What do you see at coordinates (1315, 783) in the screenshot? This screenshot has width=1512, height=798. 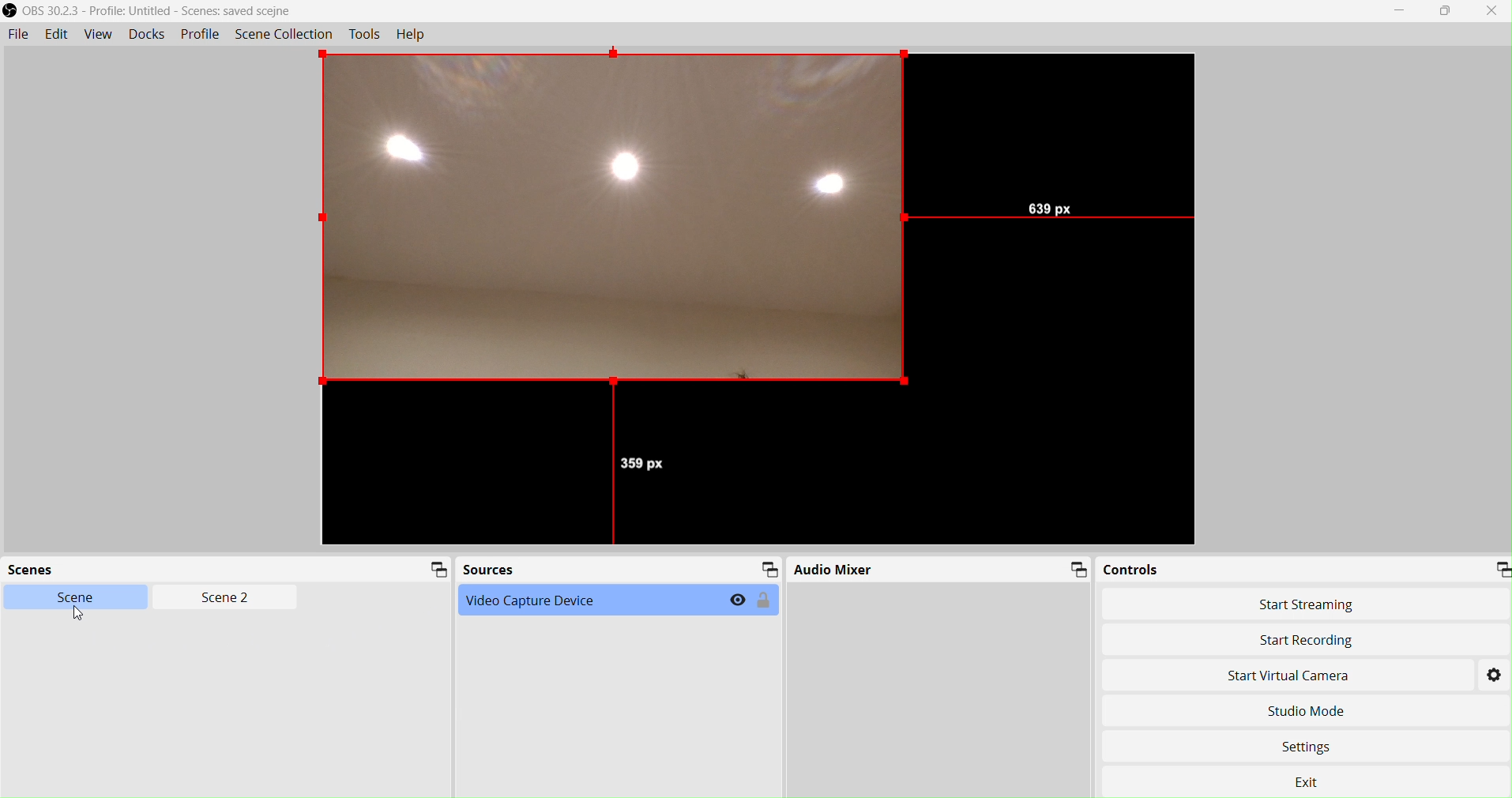 I see `Exit` at bounding box center [1315, 783].